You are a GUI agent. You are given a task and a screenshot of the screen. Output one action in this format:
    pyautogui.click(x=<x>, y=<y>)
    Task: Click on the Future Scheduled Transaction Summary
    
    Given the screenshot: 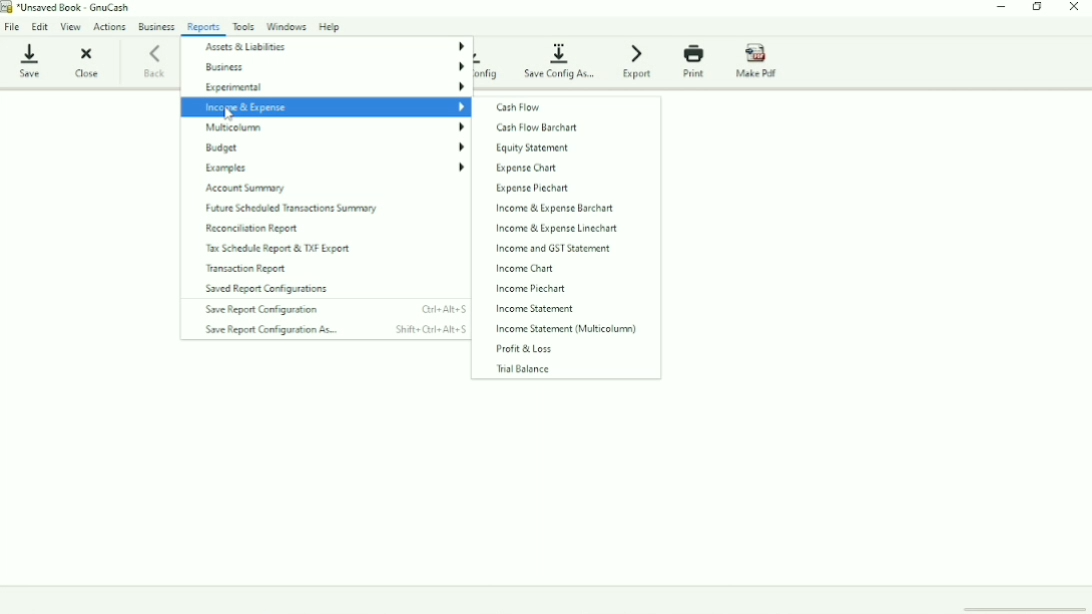 What is the action you would take?
    pyautogui.click(x=292, y=209)
    